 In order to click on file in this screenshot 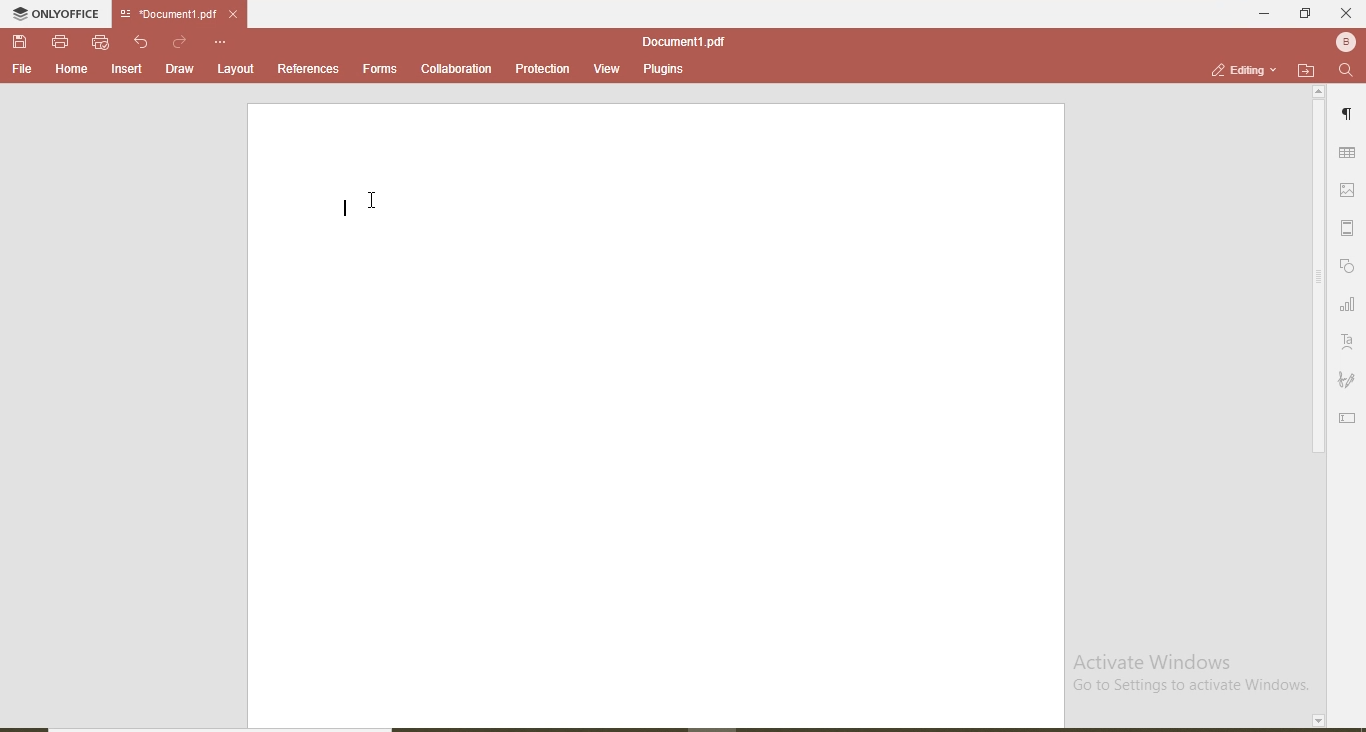, I will do `click(22, 69)`.